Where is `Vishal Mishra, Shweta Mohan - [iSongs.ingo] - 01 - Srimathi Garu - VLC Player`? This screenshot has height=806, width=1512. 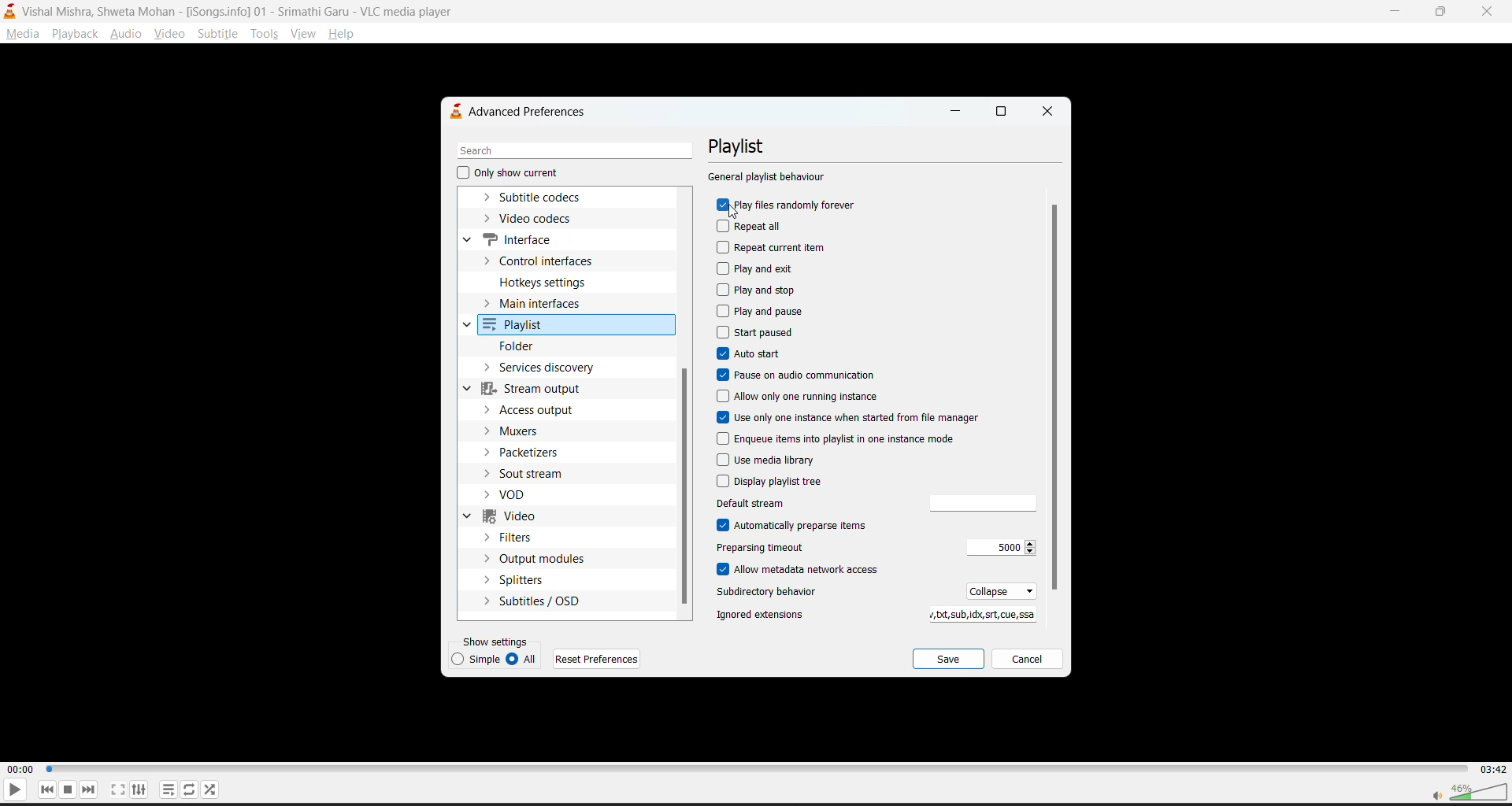 Vishal Mishra, Shweta Mohan - [iSongs.ingo] - 01 - Srimathi Garu - VLC Player is located at coordinates (241, 11).